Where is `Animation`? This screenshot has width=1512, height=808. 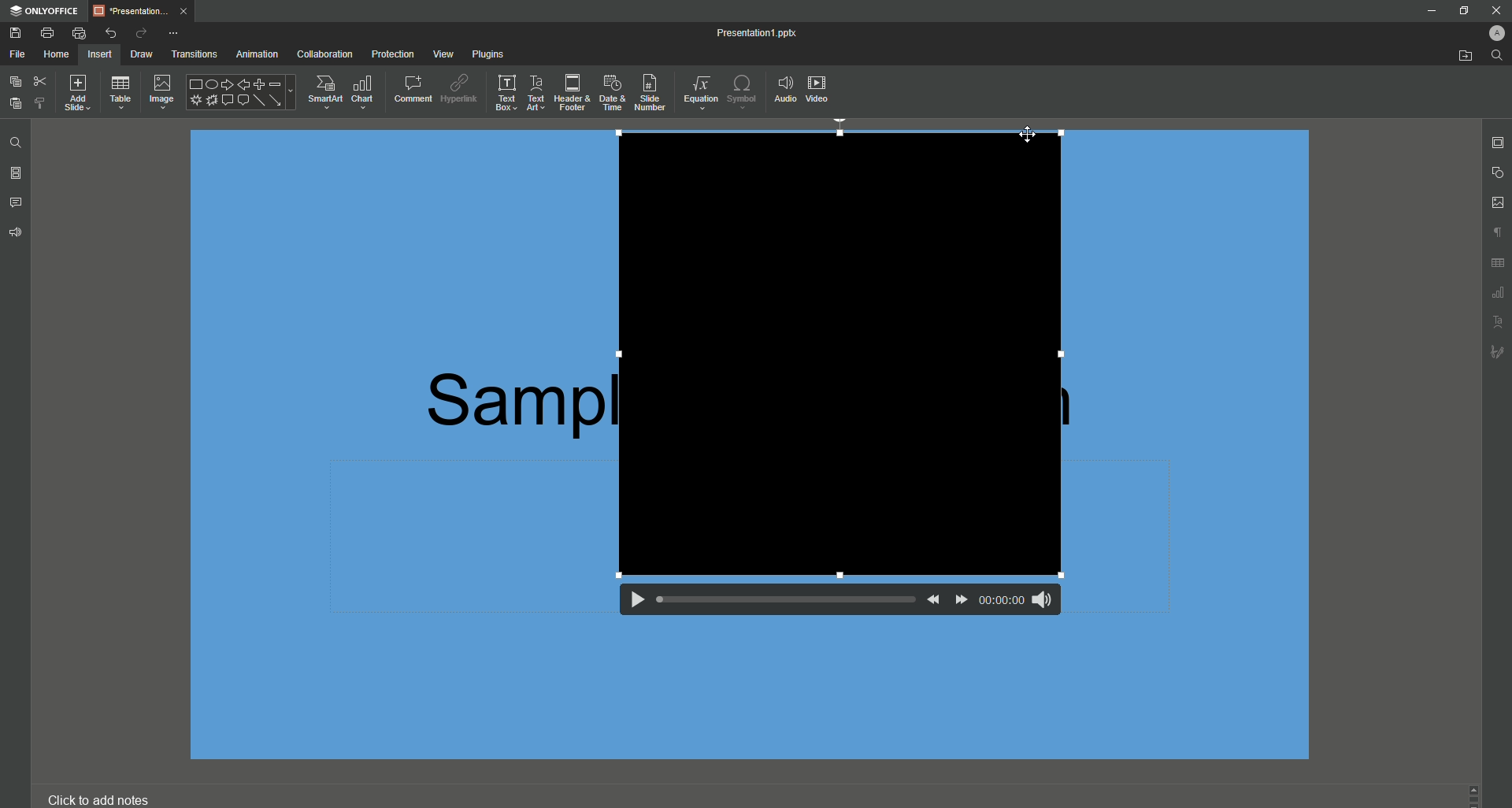 Animation is located at coordinates (256, 55).